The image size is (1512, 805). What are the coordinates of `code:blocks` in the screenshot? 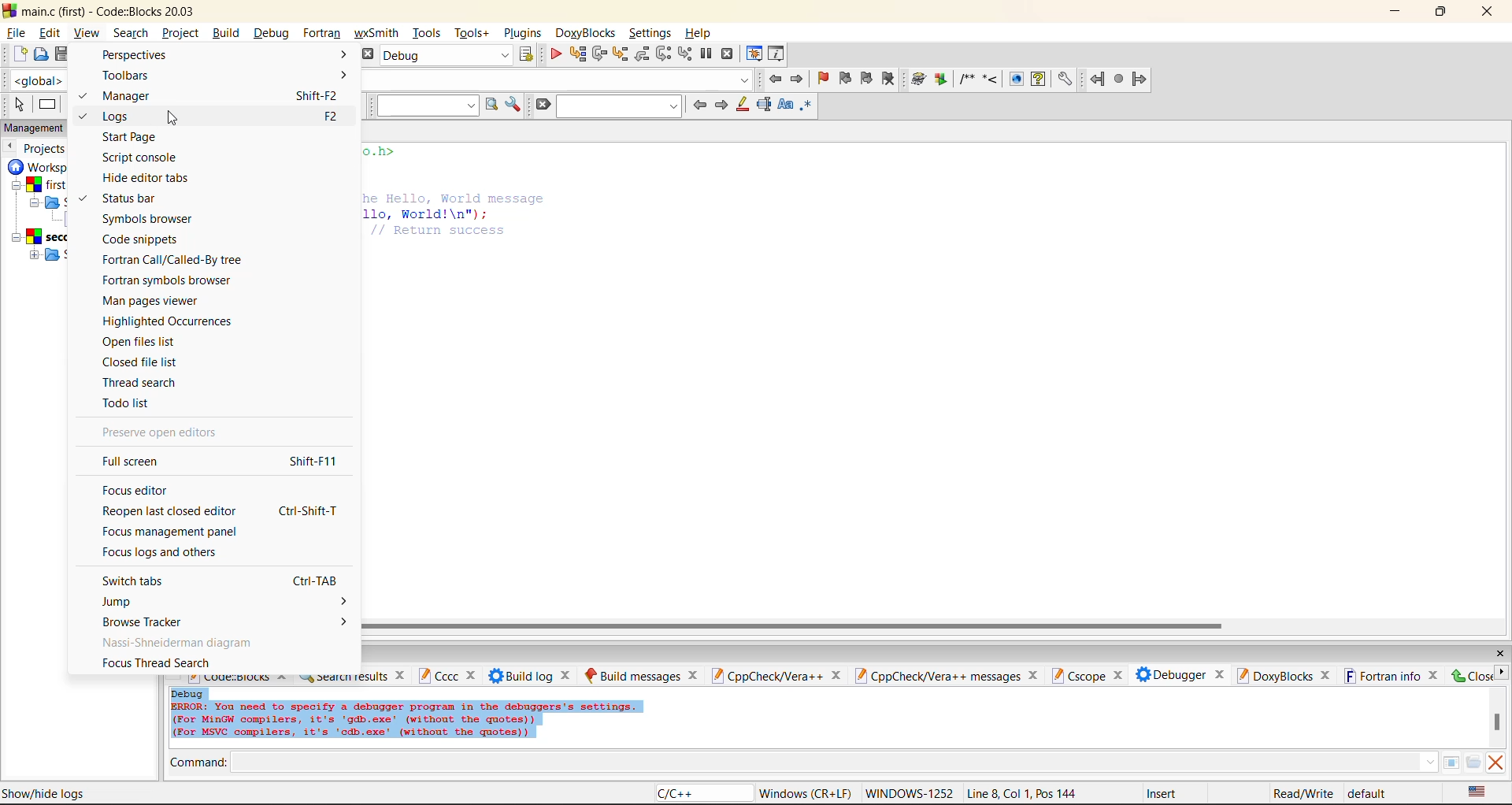 It's located at (239, 680).